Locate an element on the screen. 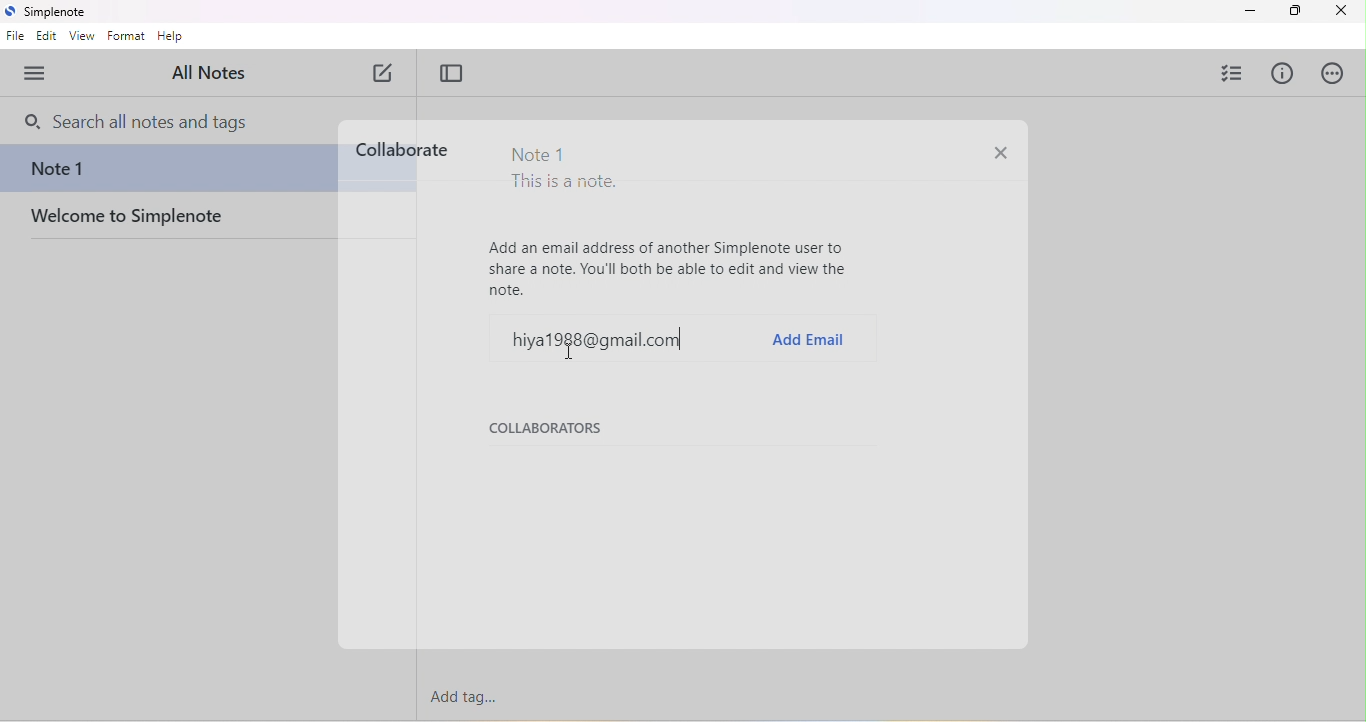 The width and height of the screenshot is (1366, 722). welcome to simplenote is located at coordinates (172, 223).